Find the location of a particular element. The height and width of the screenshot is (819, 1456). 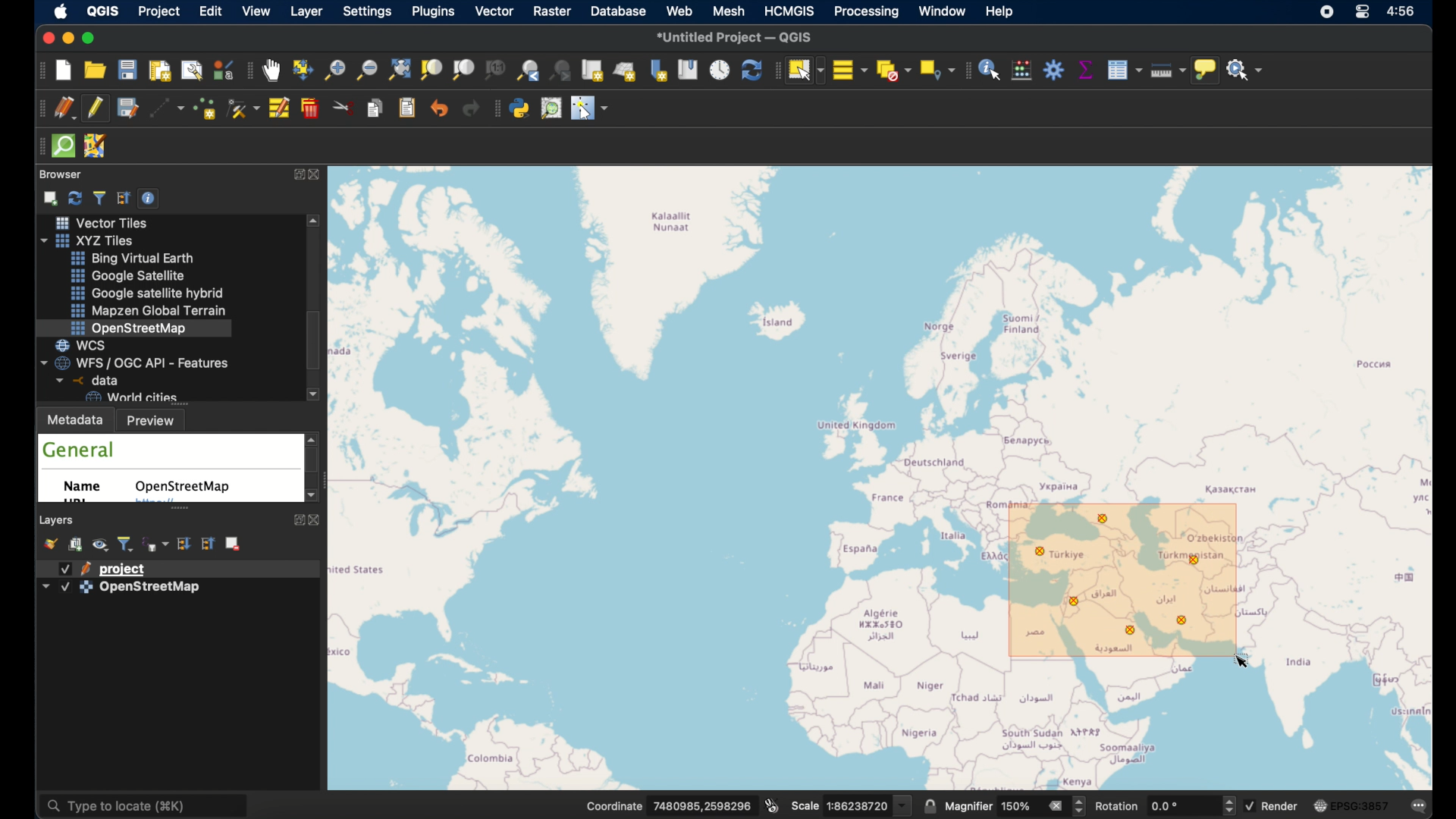

filter legend by expression is located at coordinates (156, 543).